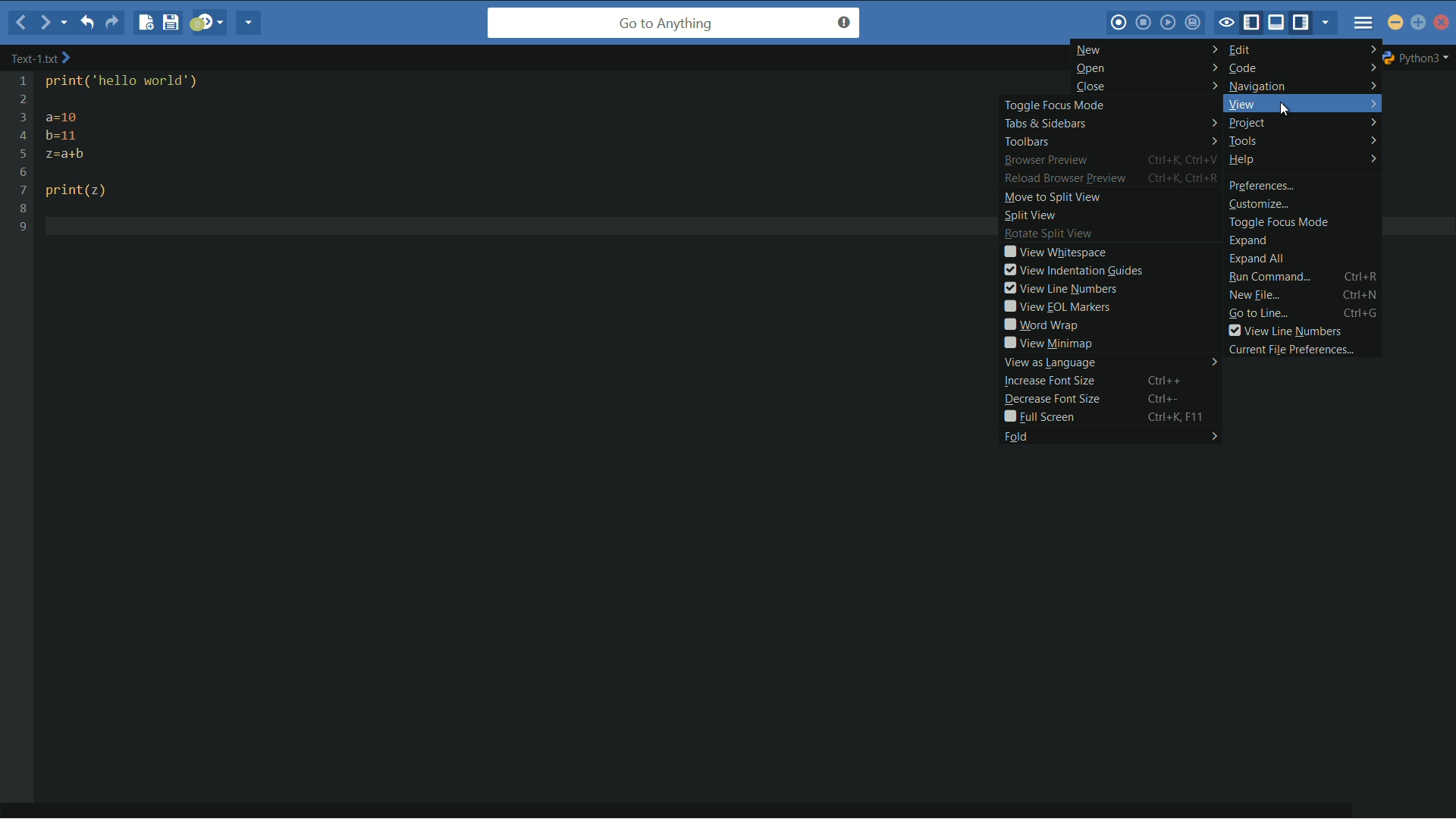 The image size is (1456, 819). I want to click on increase font size, so click(1050, 381).